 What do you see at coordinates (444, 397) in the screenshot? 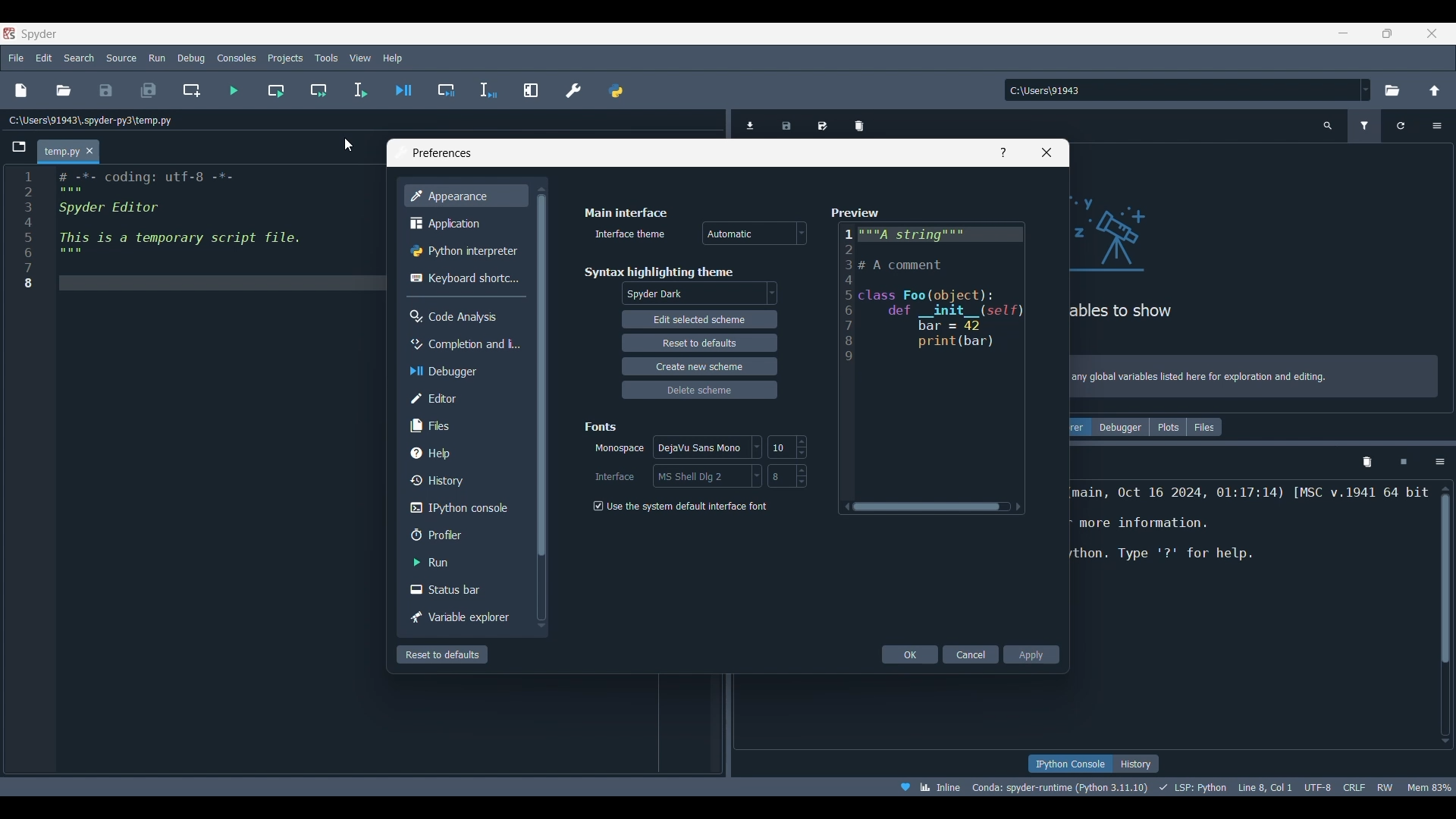
I see `editor` at bounding box center [444, 397].